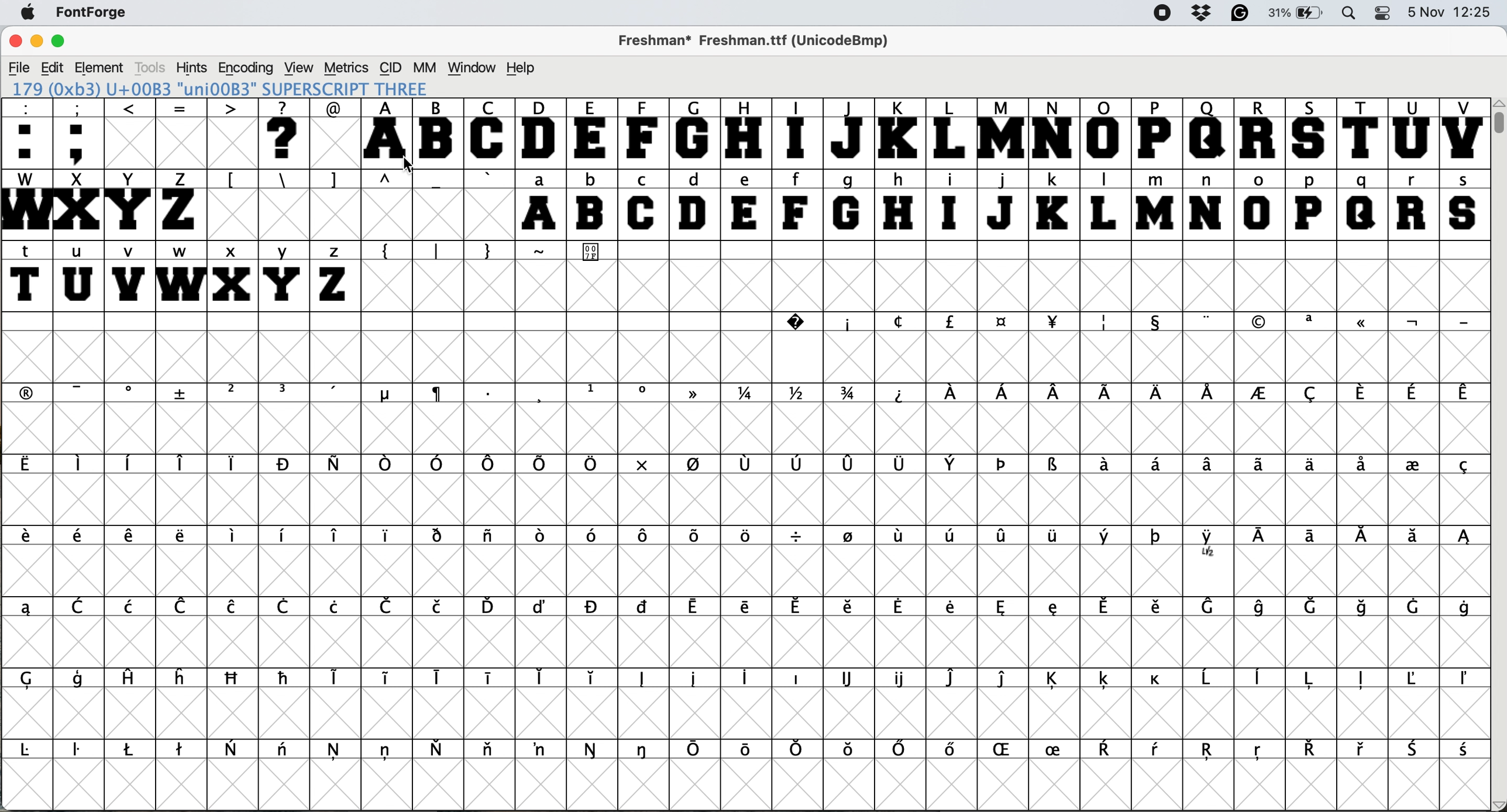 The height and width of the screenshot is (812, 1507). What do you see at coordinates (285, 274) in the screenshot?
I see `y` at bounding box center [285, 274].